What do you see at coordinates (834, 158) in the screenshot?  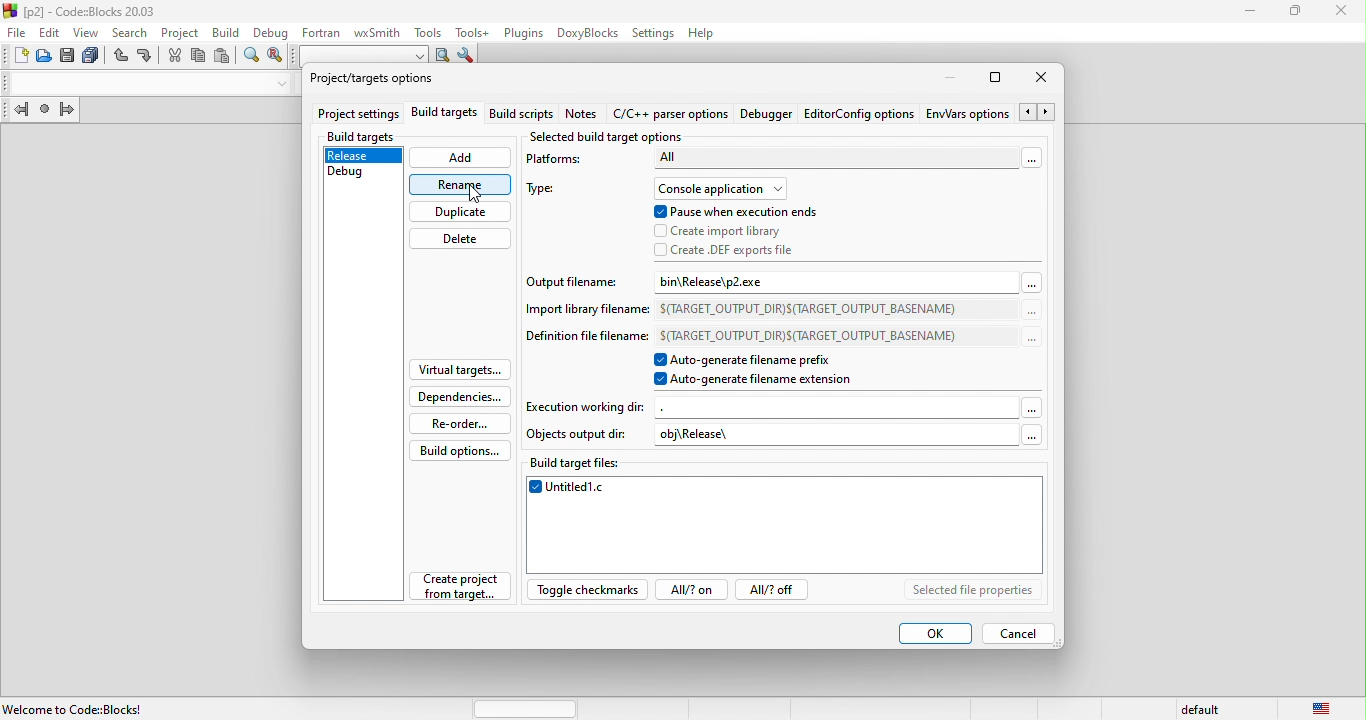 I see `ALL` at bounding box center [834, 158].